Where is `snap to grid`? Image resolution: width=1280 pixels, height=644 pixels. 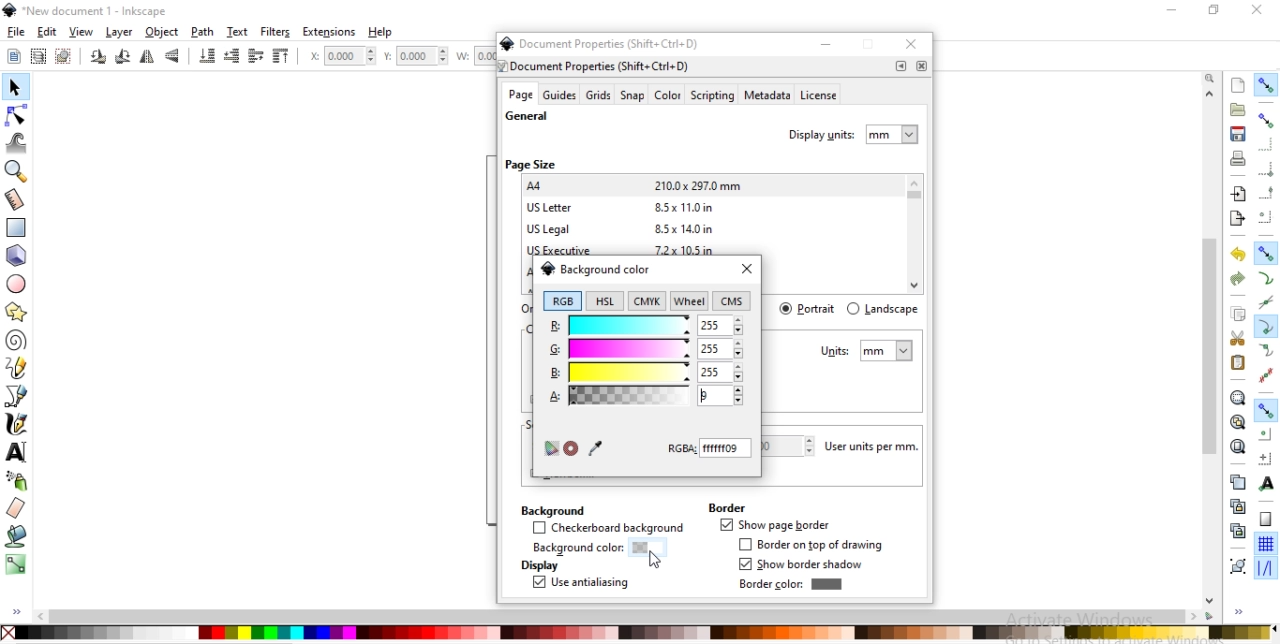
snap to grid is located at coordinates (1265, 545).